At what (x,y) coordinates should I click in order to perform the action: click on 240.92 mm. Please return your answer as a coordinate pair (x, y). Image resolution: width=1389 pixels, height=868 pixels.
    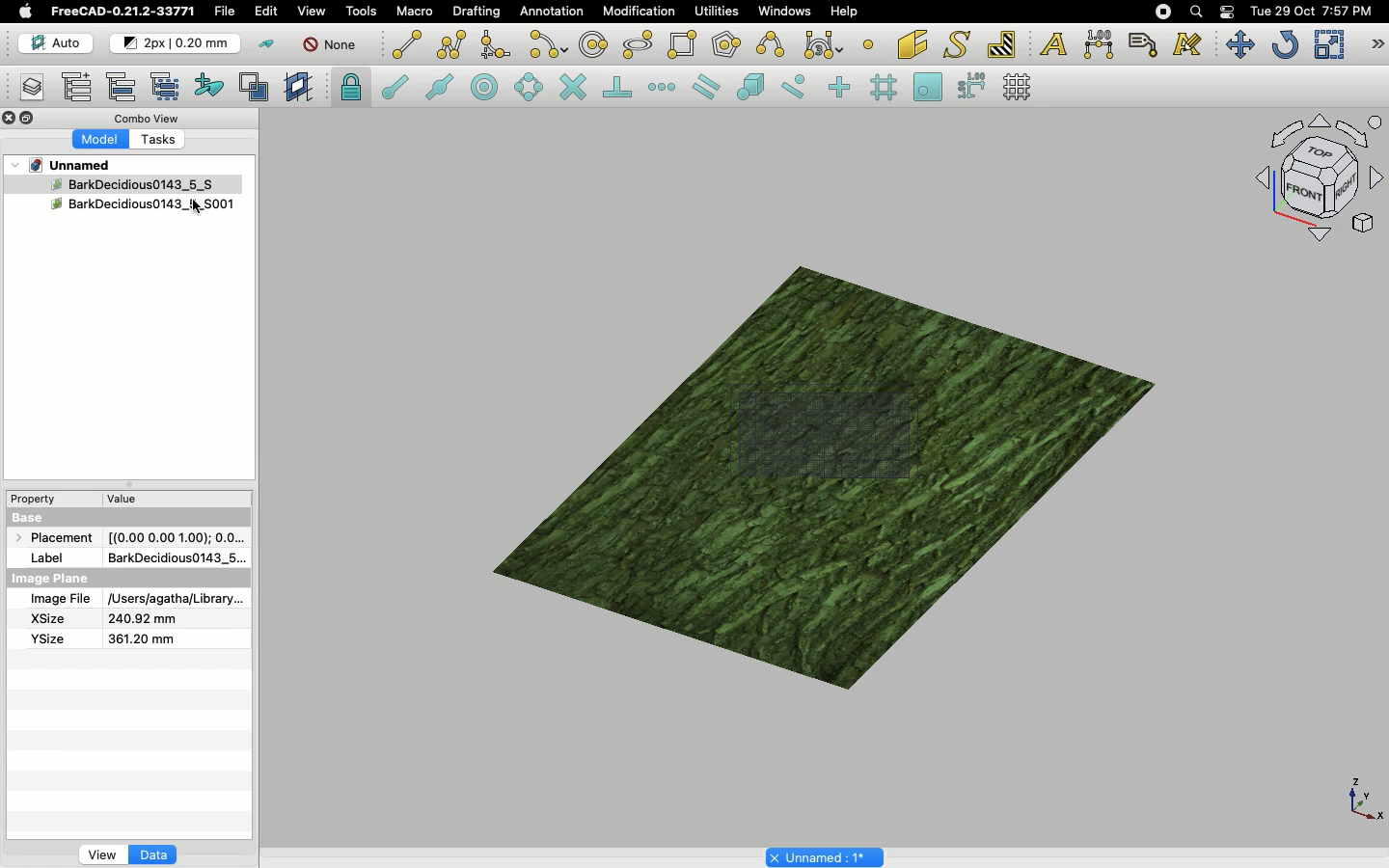
    Looking at the image, I should click on (144, 619).